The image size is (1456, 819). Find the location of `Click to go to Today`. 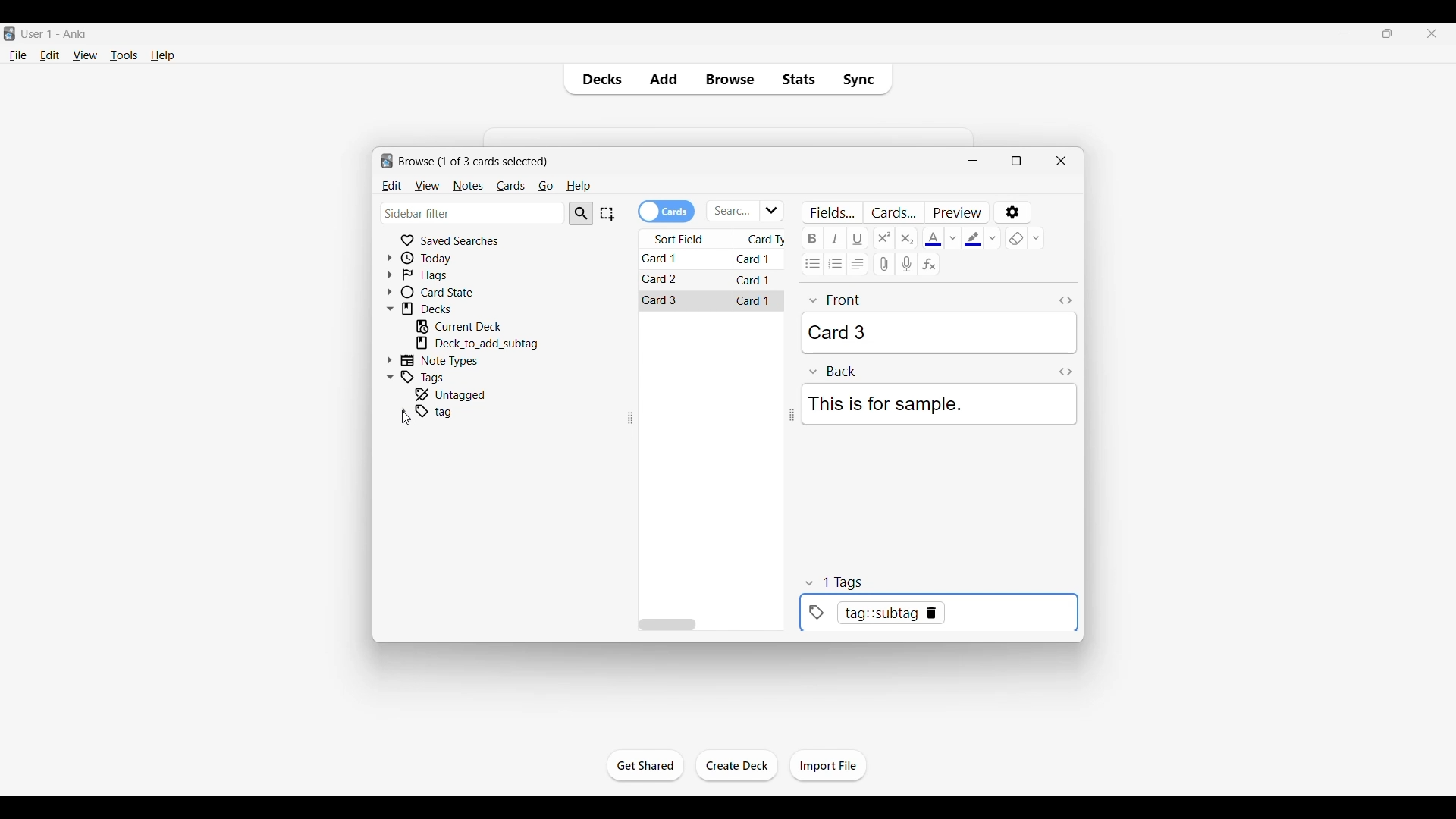

Click to go to Today is located at coordinates (449, 258).